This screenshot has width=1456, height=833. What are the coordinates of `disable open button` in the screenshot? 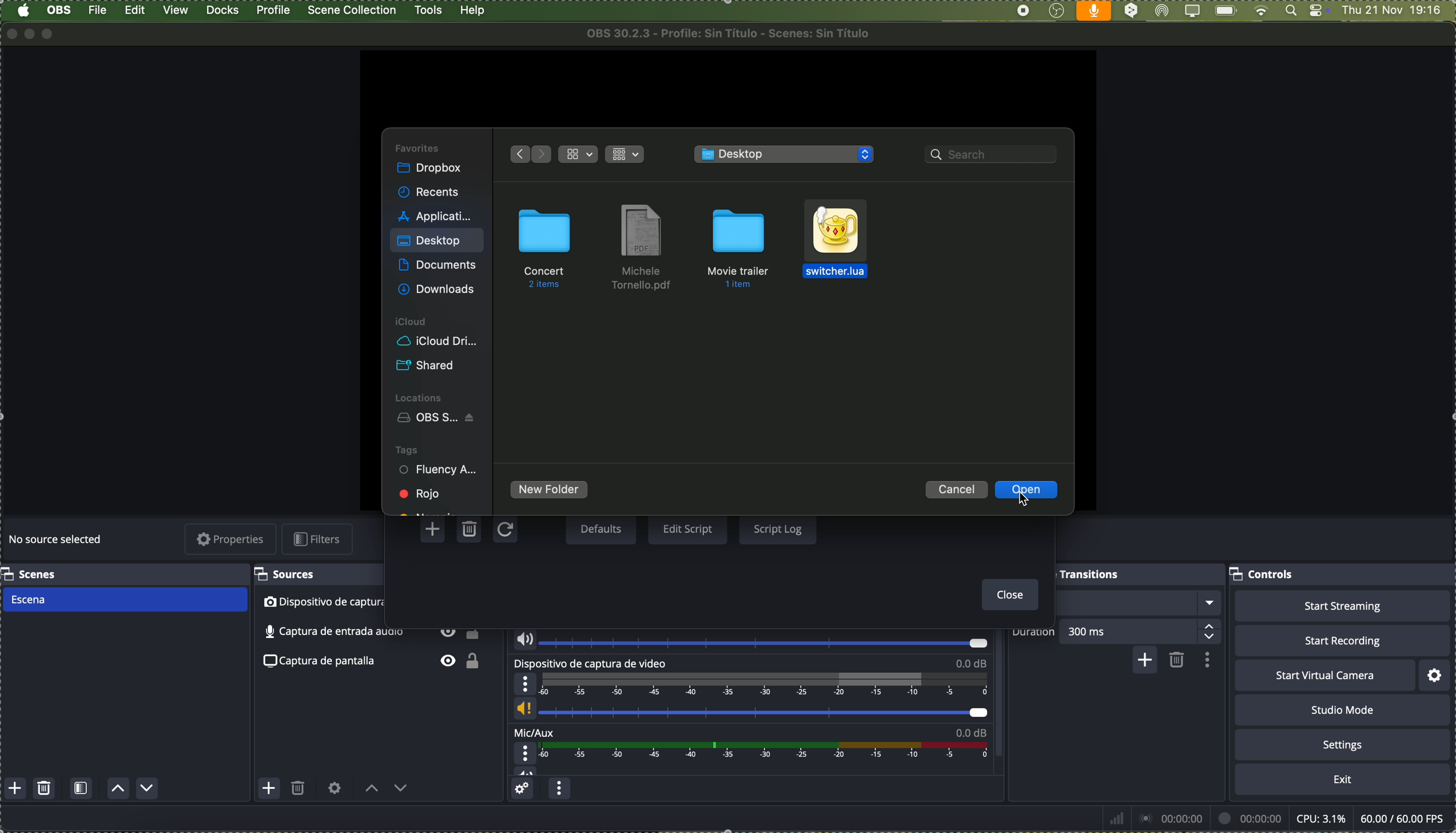 It's located at (1027, 490).